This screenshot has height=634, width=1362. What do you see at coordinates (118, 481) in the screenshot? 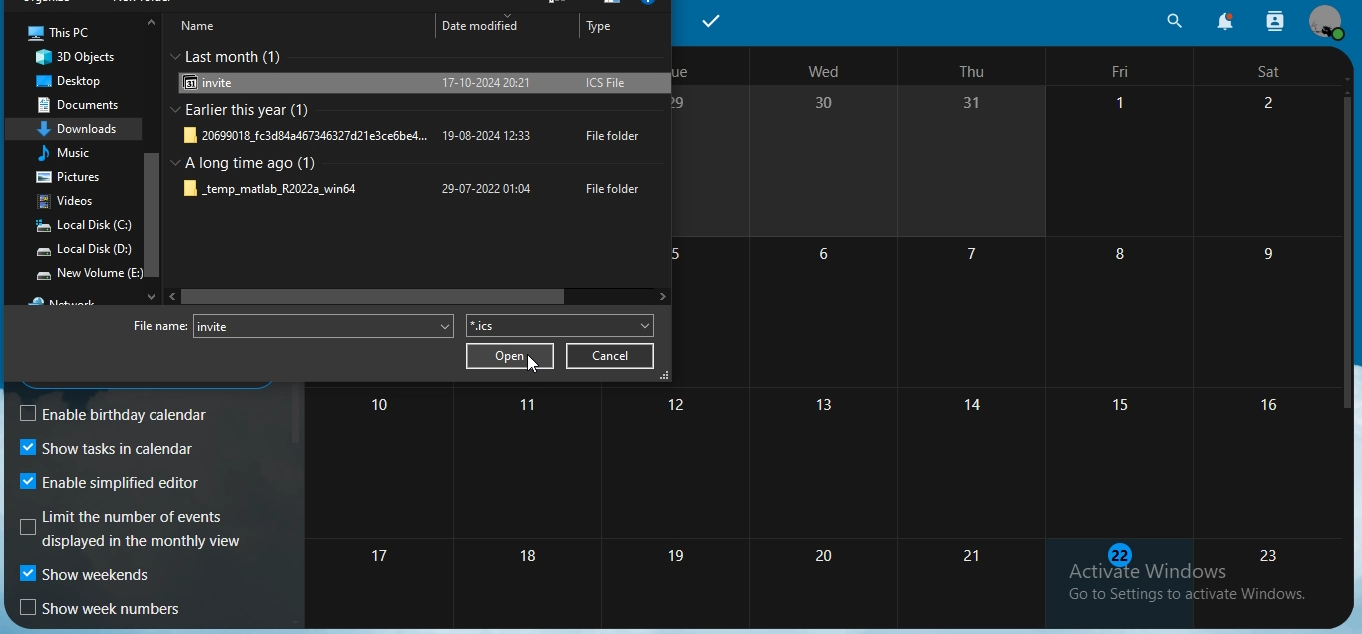
I see `enable simplified editor` at bounding box center [118, 481].